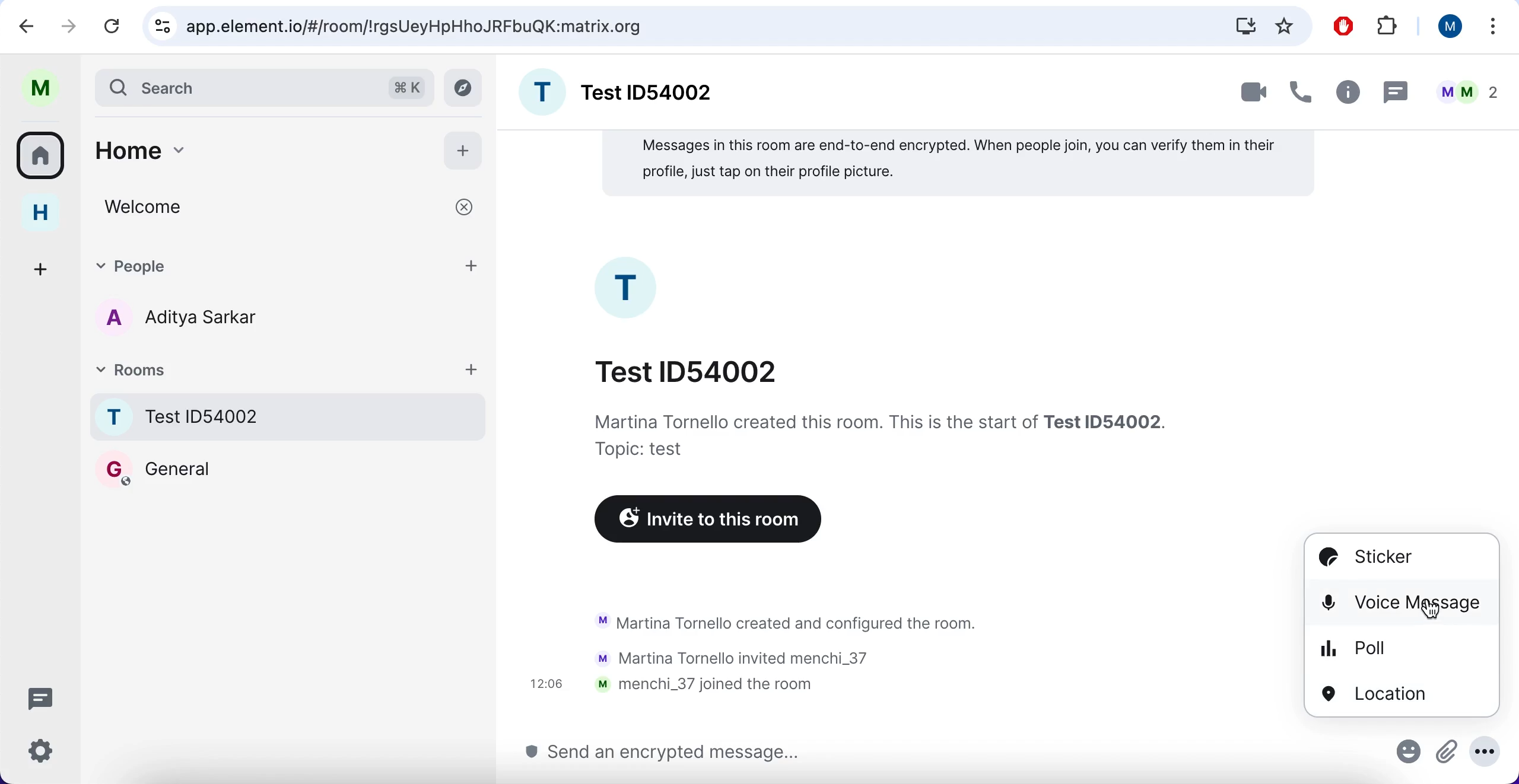  Describe the element at coordinates (69, 24) in the screenshot. I see `forward` at that location.